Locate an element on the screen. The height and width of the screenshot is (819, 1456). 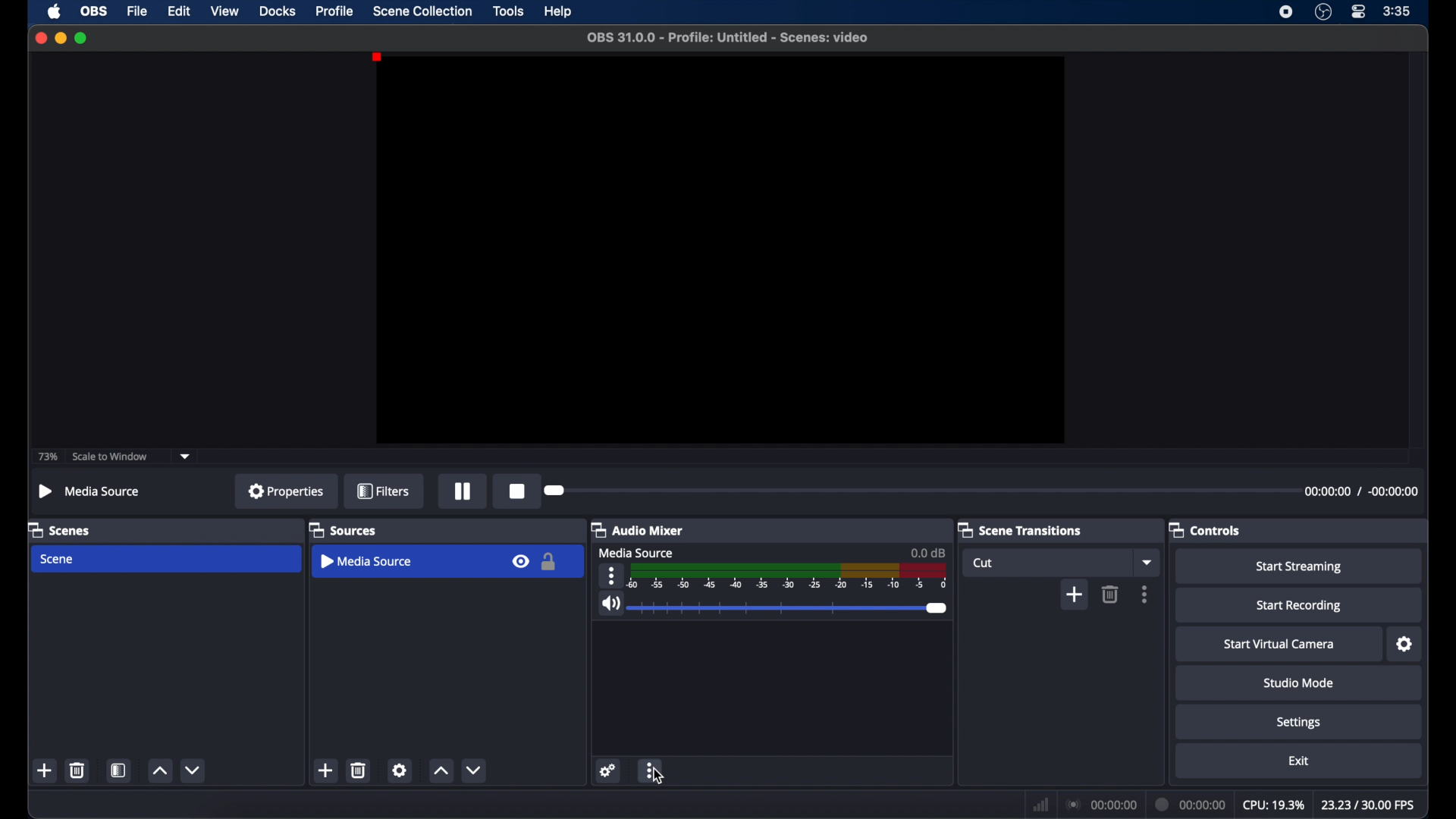
duration time is located at coordinates (1363, 491).